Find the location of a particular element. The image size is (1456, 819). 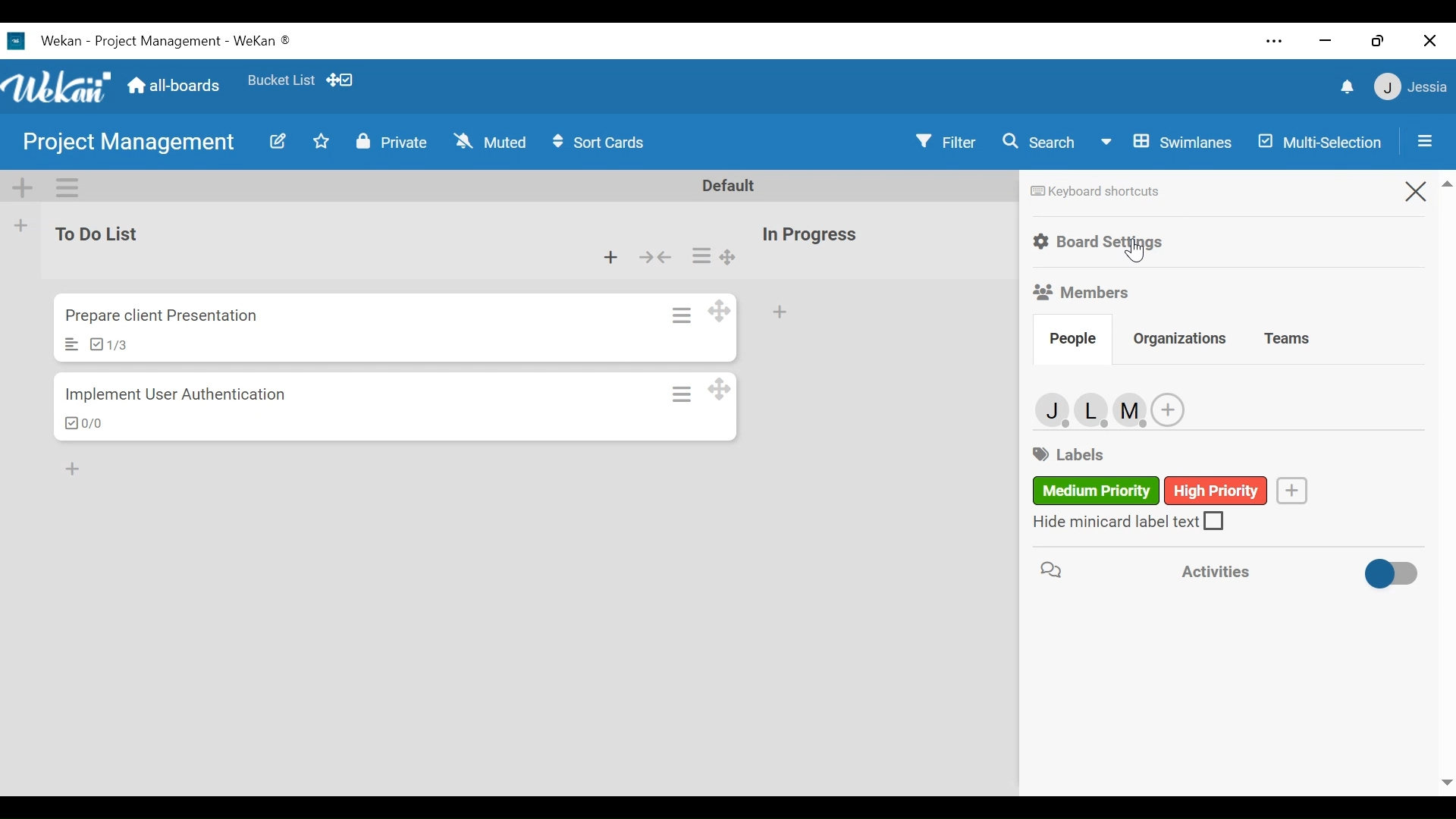

Home (all-boards) is located at coordinates (176, 86).